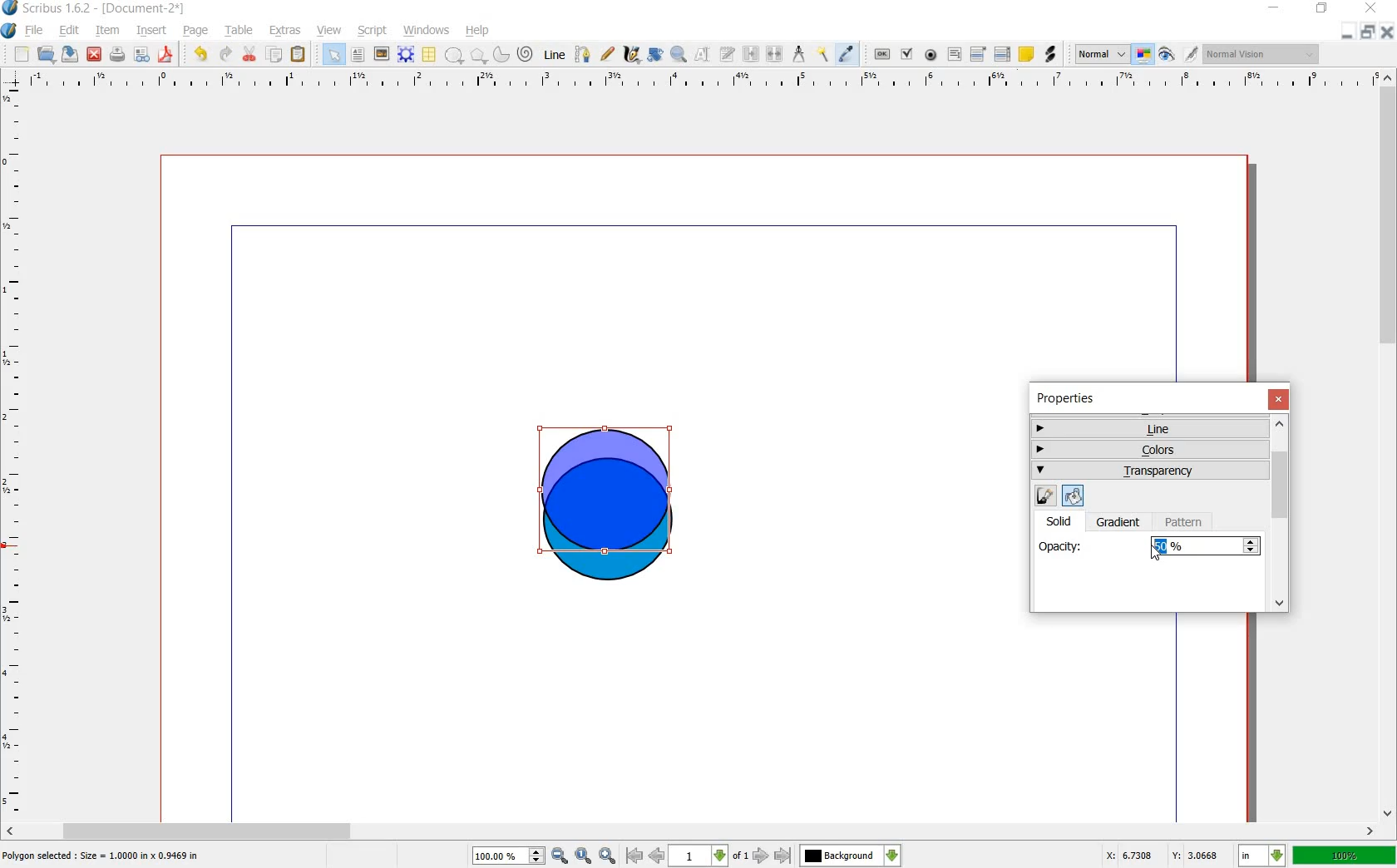 The height and width of the screenshot is (868, 1397). What do you see at coordinates (1119, 523) in the screenshot?
I see `gradient` at bounding box center [1119, 523].